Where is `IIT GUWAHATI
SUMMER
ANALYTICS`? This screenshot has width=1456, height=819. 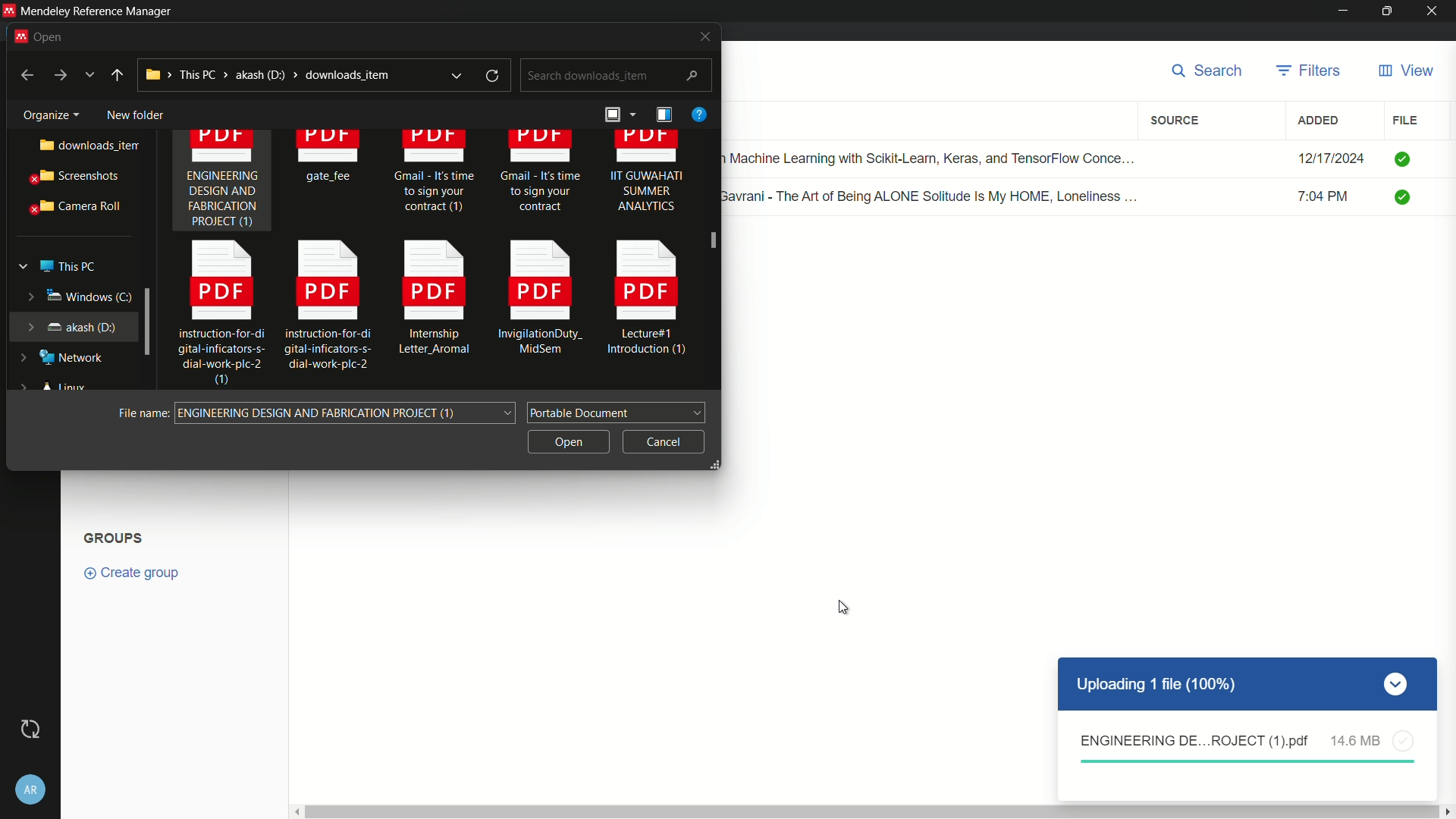 IIT GUWAHATI
SUMMER
ANALYTICS is located at coordinates (647, 178).